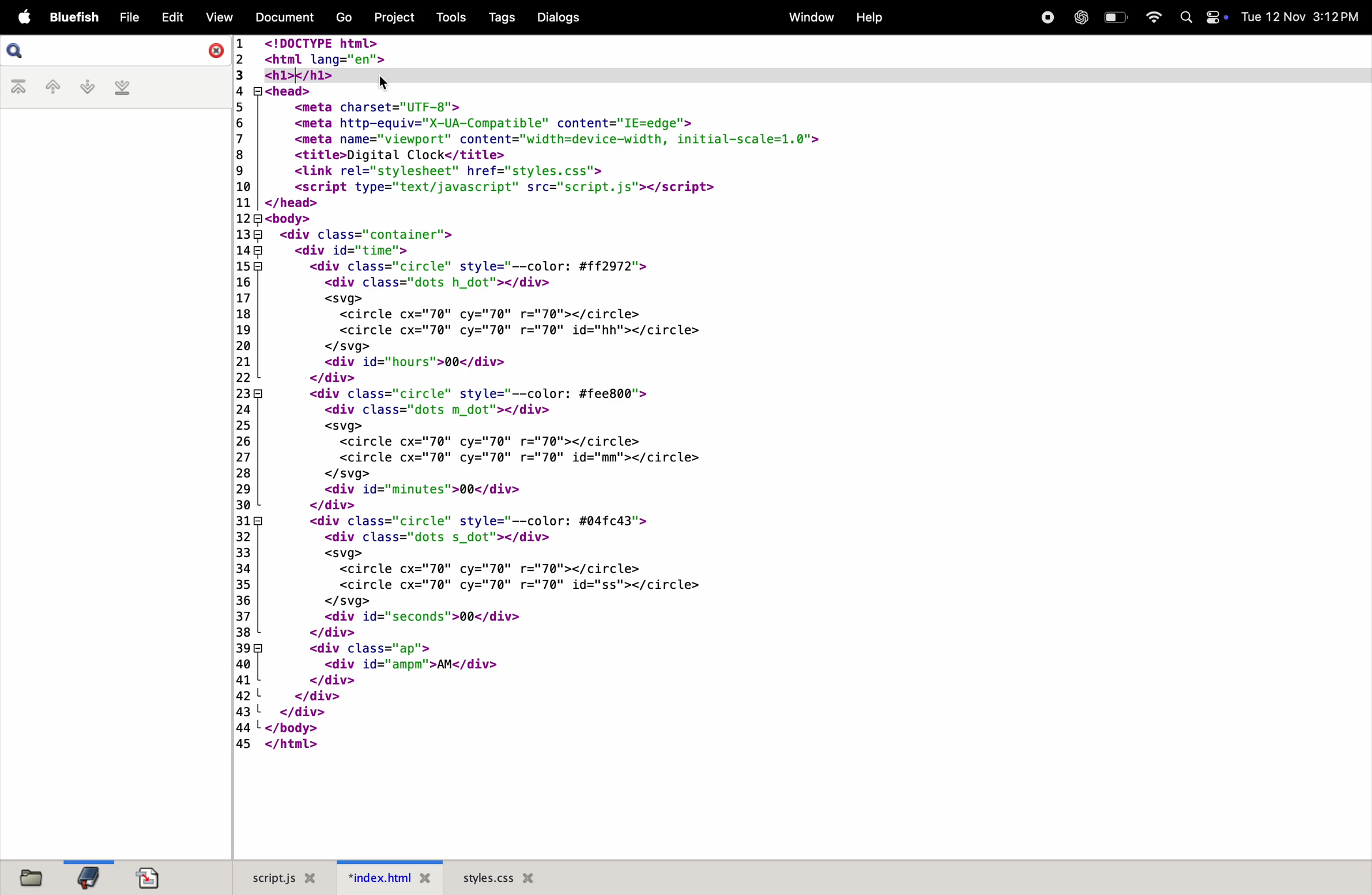 Image resolution: width=1372 pixels, height=895 pixels. What do you see at coordinates (299, 73) in the screenshot?
I see `text cursor` at bounding box center [299, 73].